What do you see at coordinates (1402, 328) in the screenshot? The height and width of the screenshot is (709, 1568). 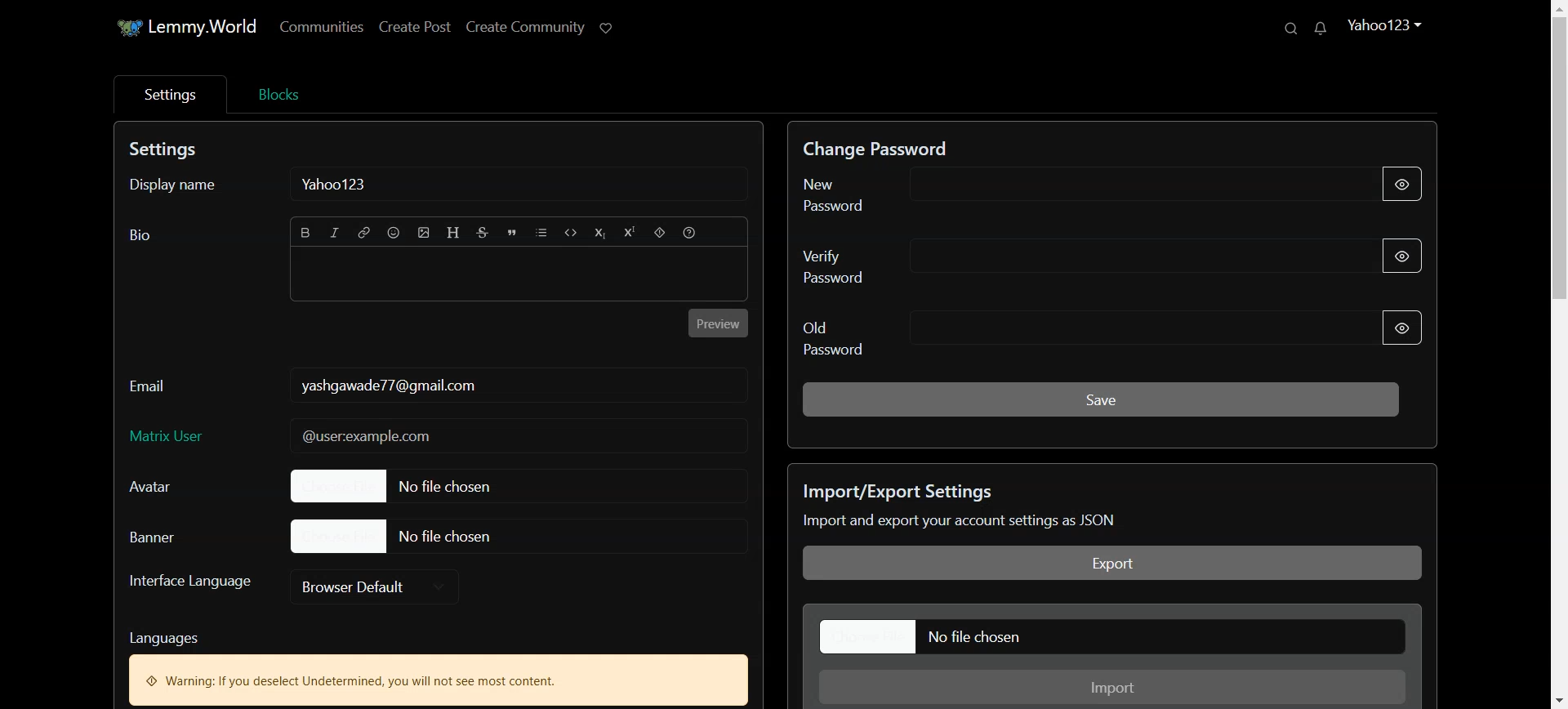 I see `Hide Password` at bounding box center [1402, 328].